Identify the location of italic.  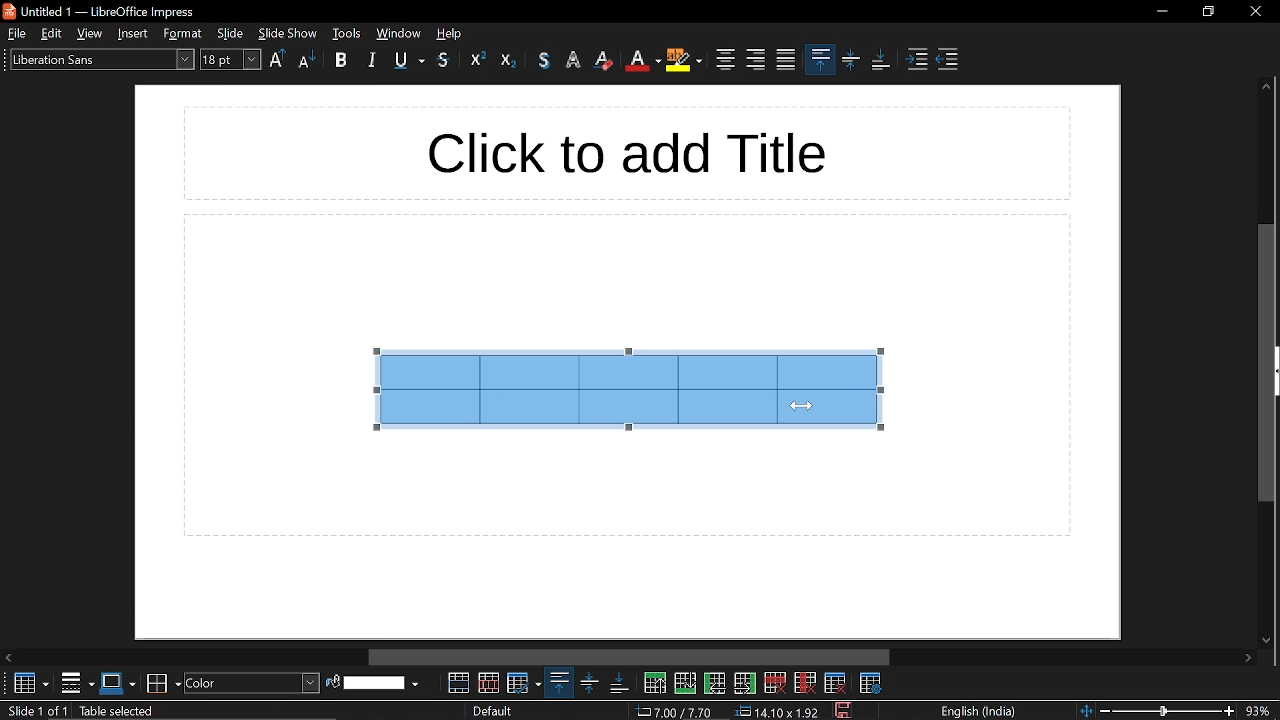
(372, 58).